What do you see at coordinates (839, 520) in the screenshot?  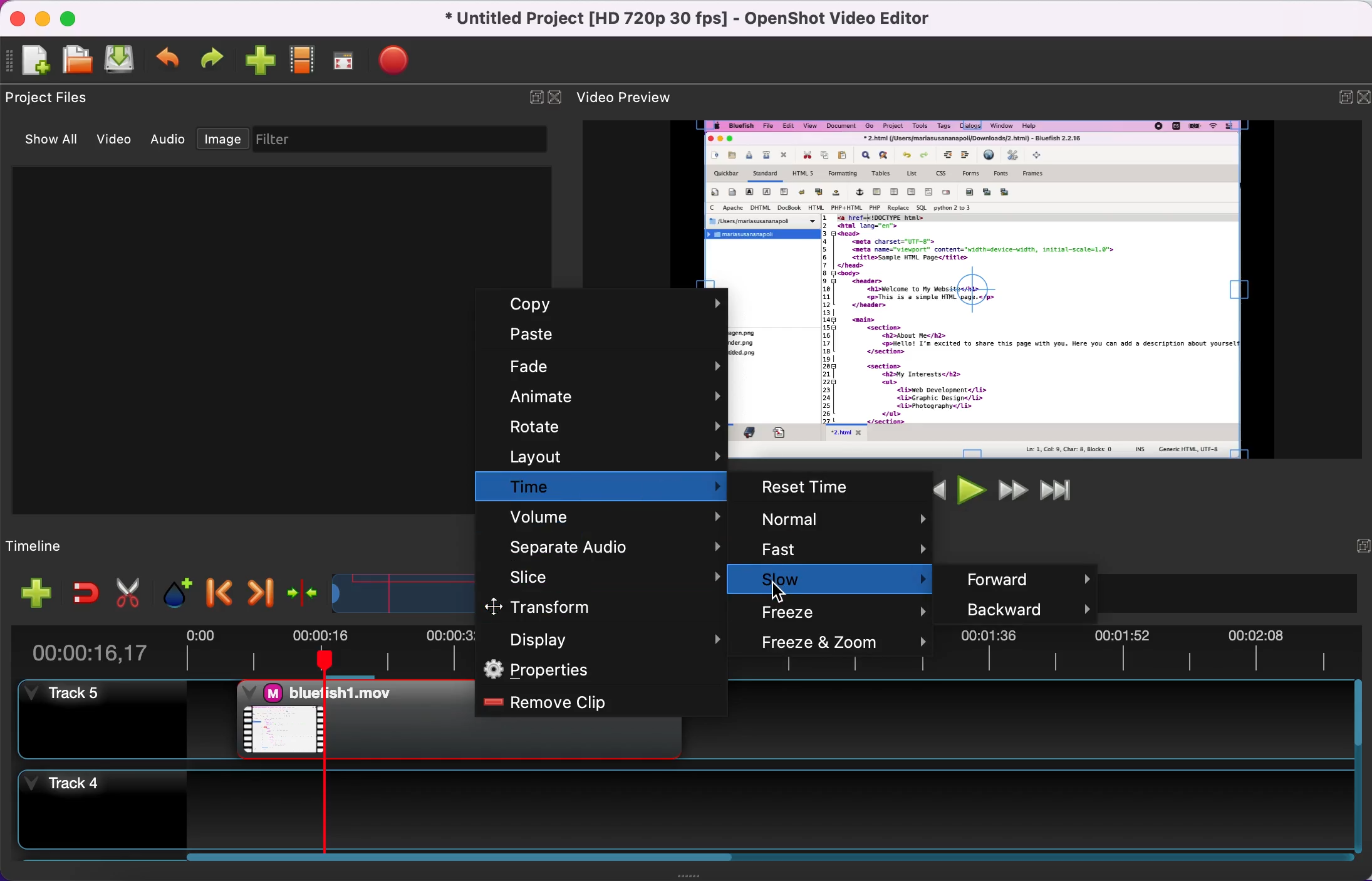 I see `normal` at bounding box center [839, 520].